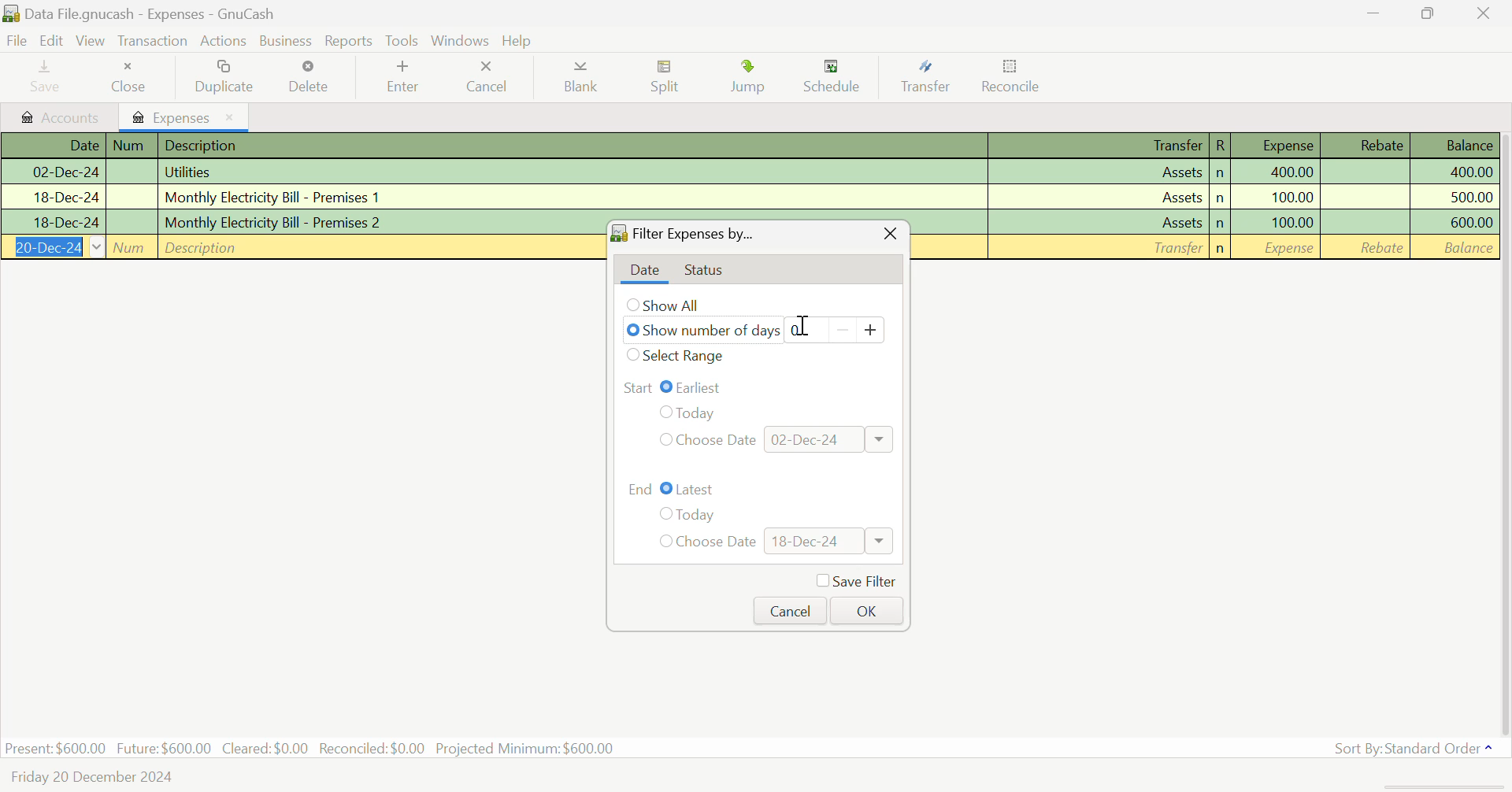 The image size is (1512, 792). I want to click on Transfer, so click(1100, 146).